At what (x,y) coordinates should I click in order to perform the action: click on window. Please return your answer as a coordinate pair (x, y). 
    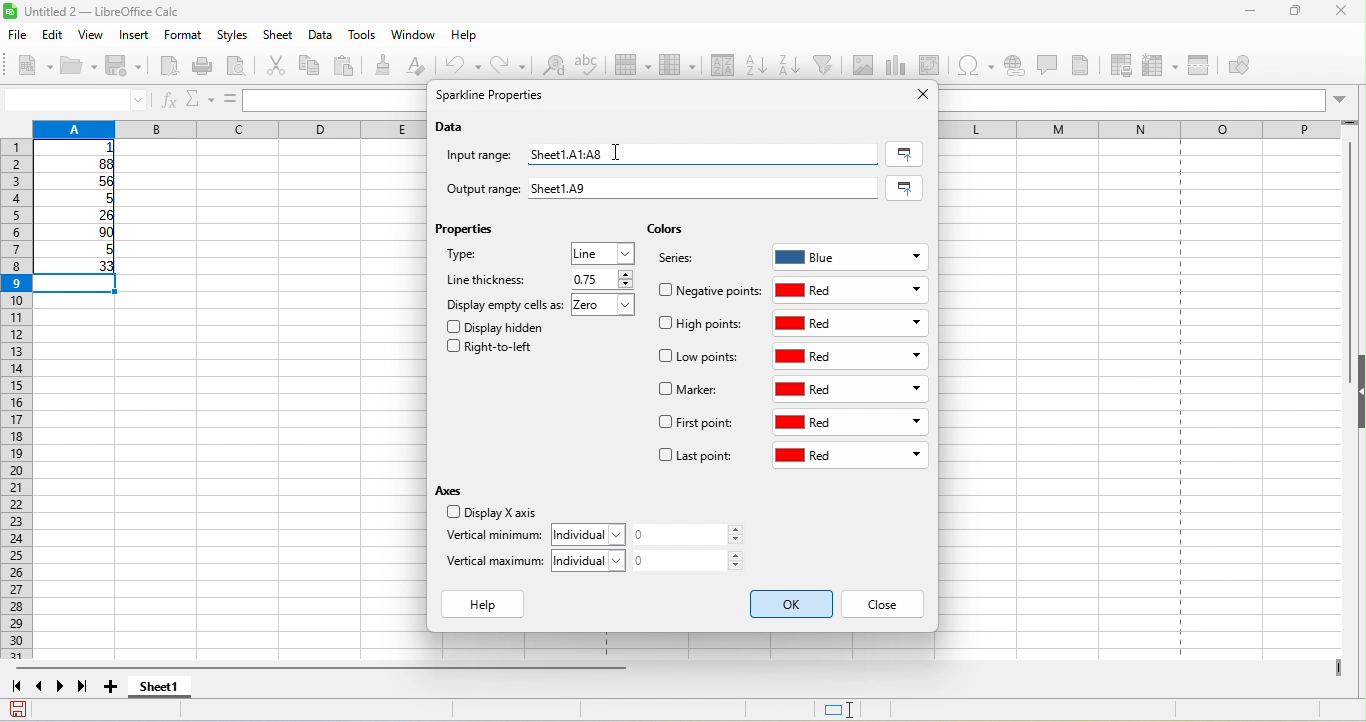
    Looking at the image, I should click on (413, 37).